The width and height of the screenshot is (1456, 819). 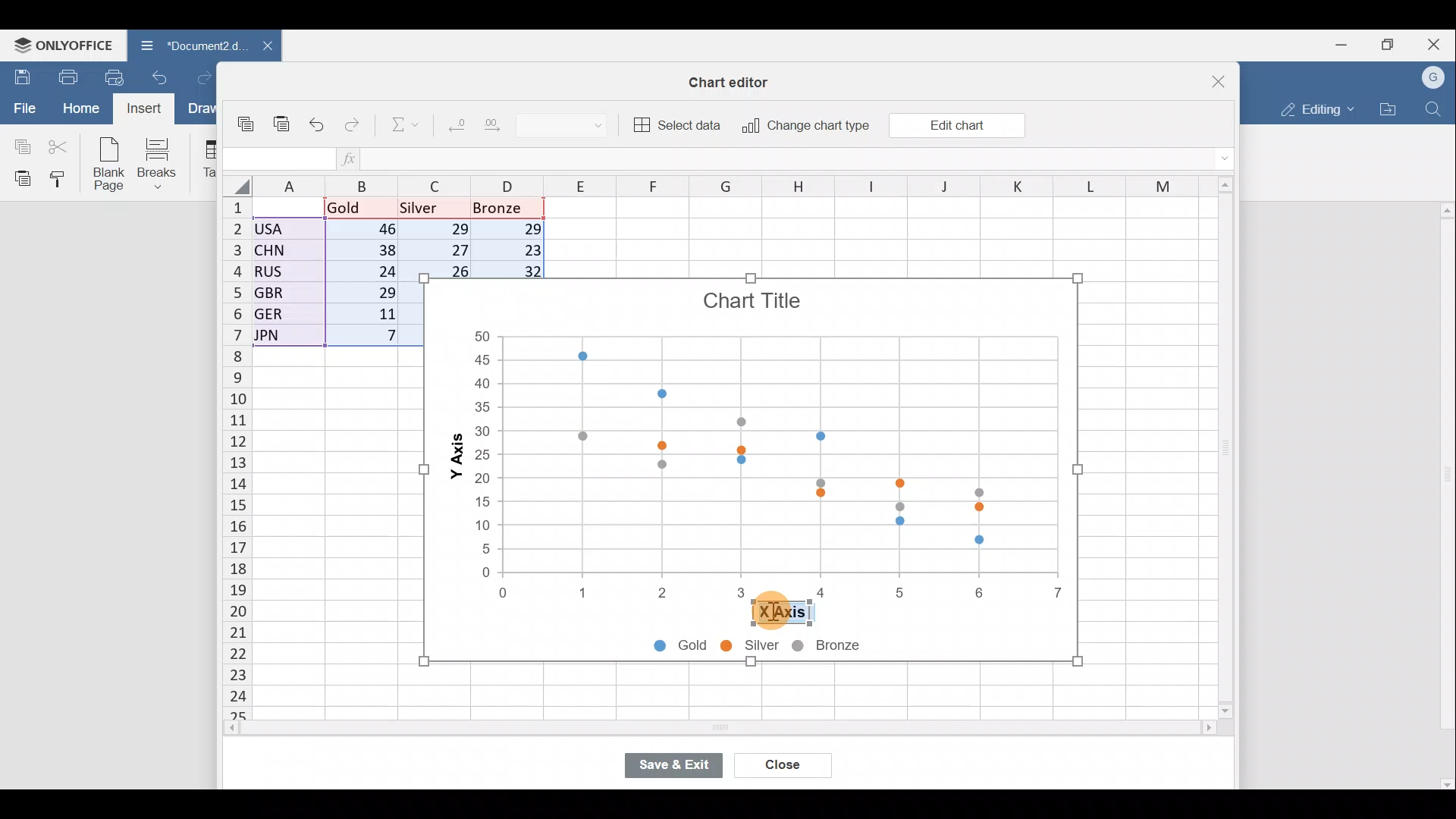 I want to click on Data, so click(x=334, y=277).